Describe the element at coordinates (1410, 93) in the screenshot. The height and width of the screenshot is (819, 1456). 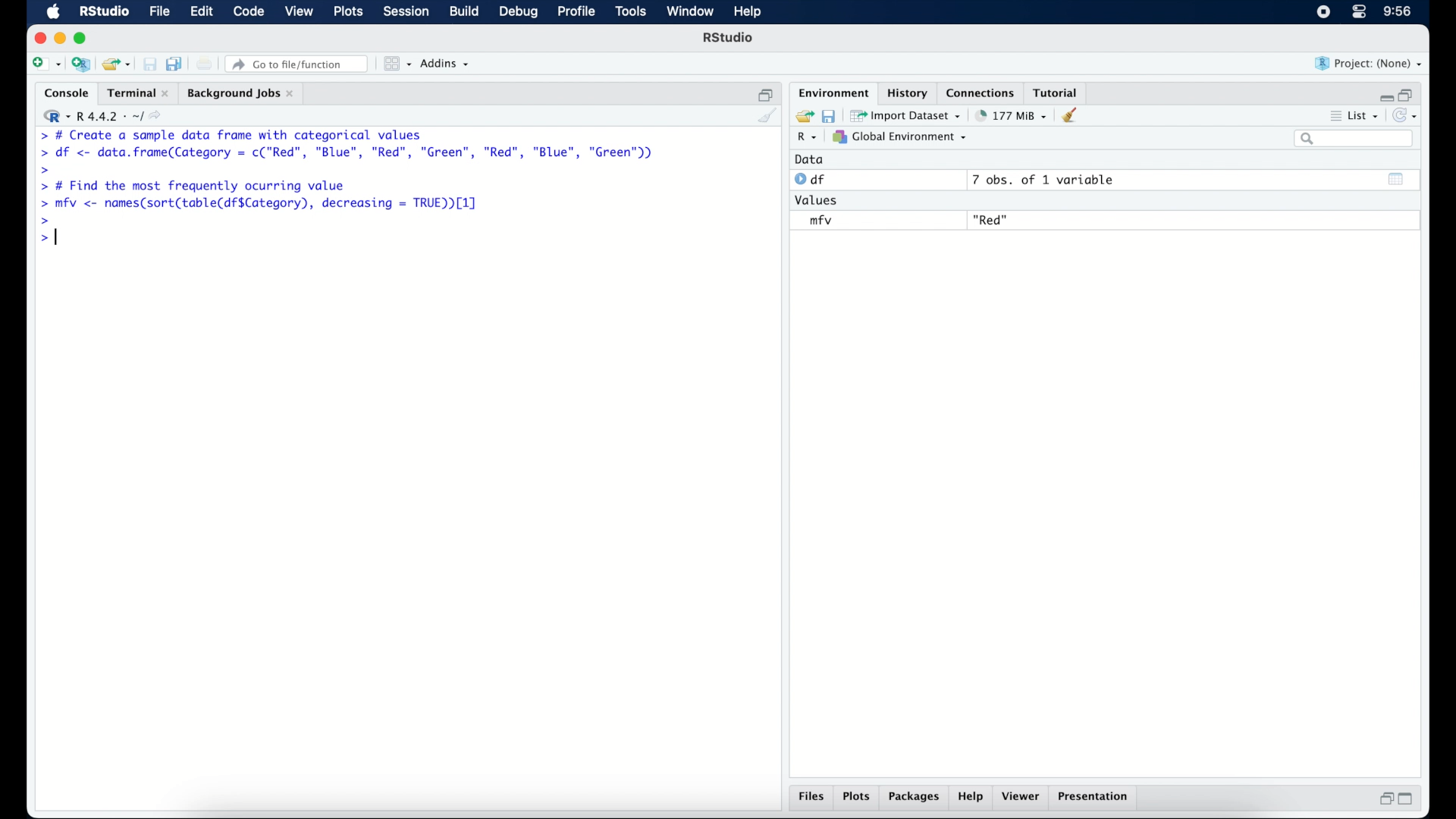
I see `restore down` at that location.